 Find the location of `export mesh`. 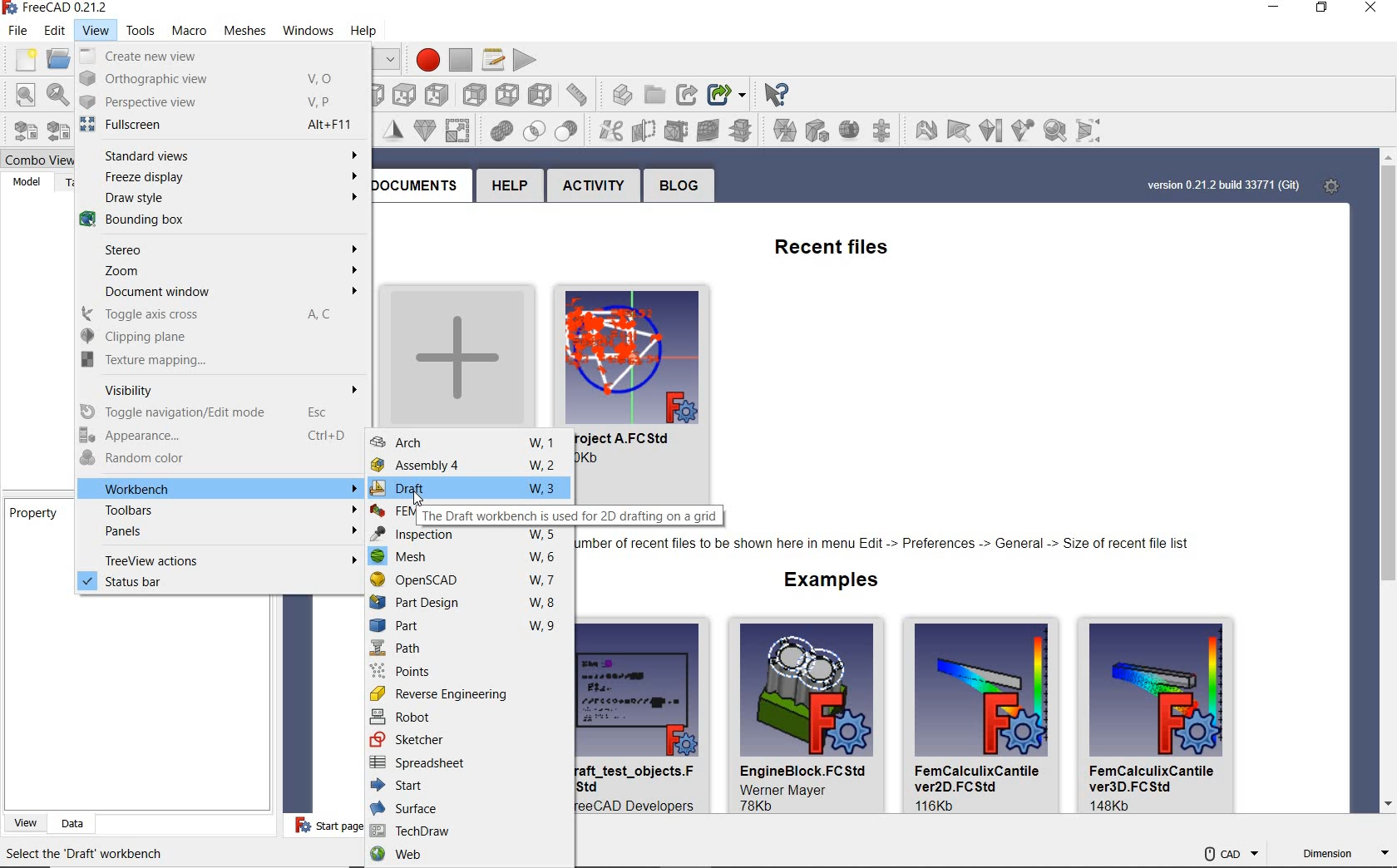

export mesh is located at coordinates (56, 130).